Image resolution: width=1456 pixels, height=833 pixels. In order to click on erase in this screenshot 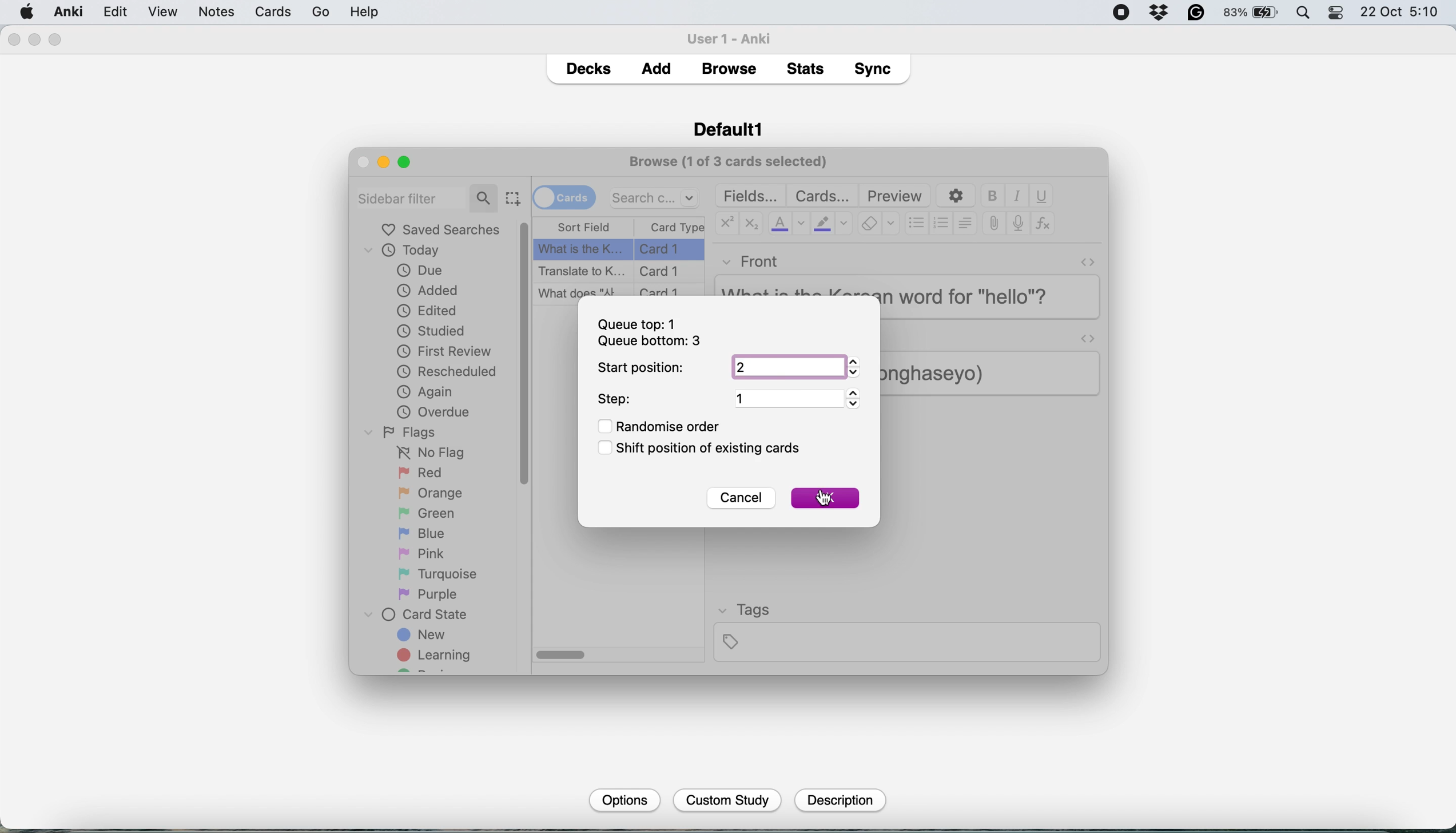, I will do `click(878, 224)`.